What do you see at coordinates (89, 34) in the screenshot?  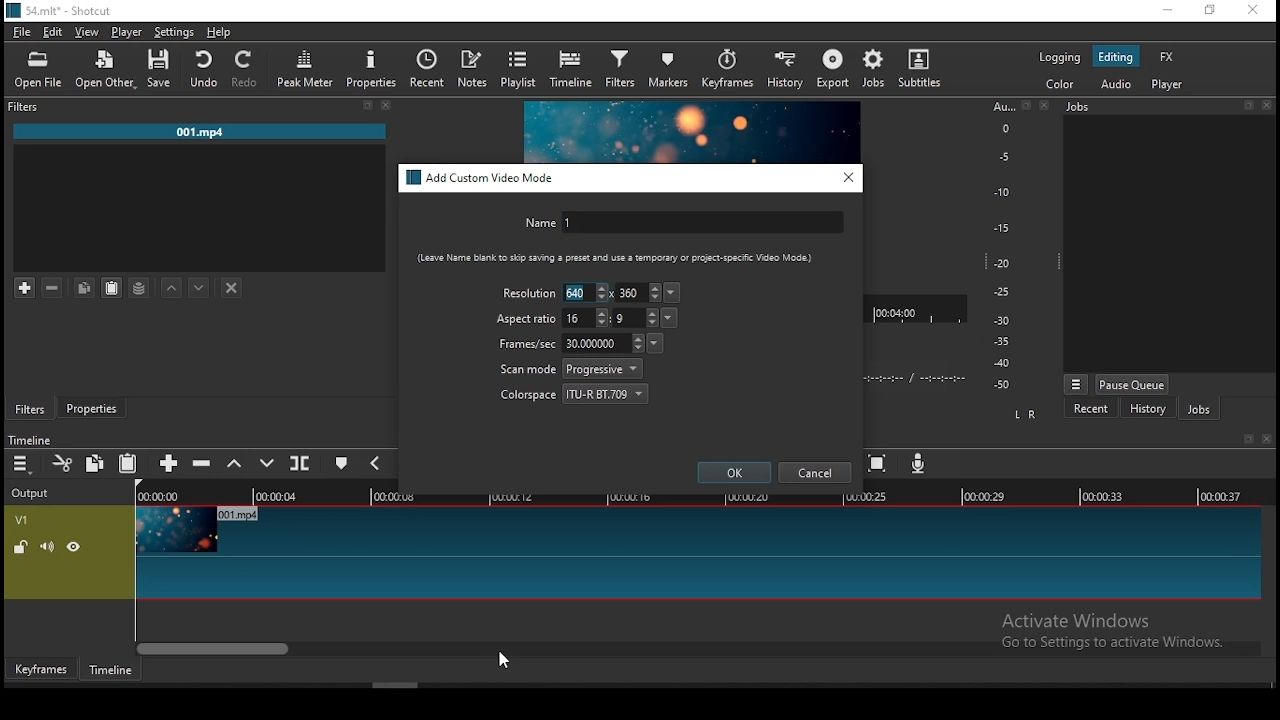 I see `view` at bounding box center [89, 34].